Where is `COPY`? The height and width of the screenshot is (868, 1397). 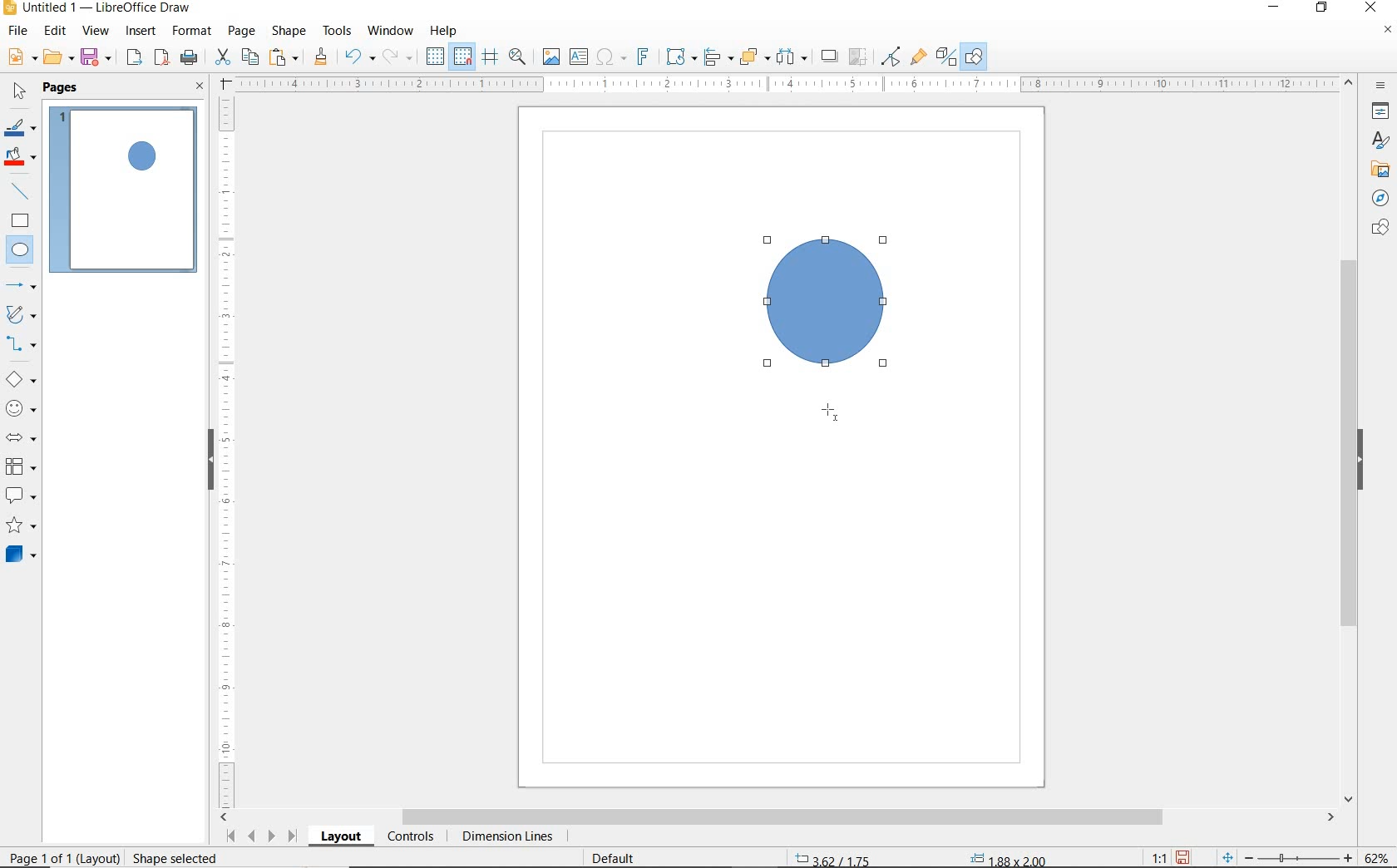 COPY is located at coordinates (250, 56).